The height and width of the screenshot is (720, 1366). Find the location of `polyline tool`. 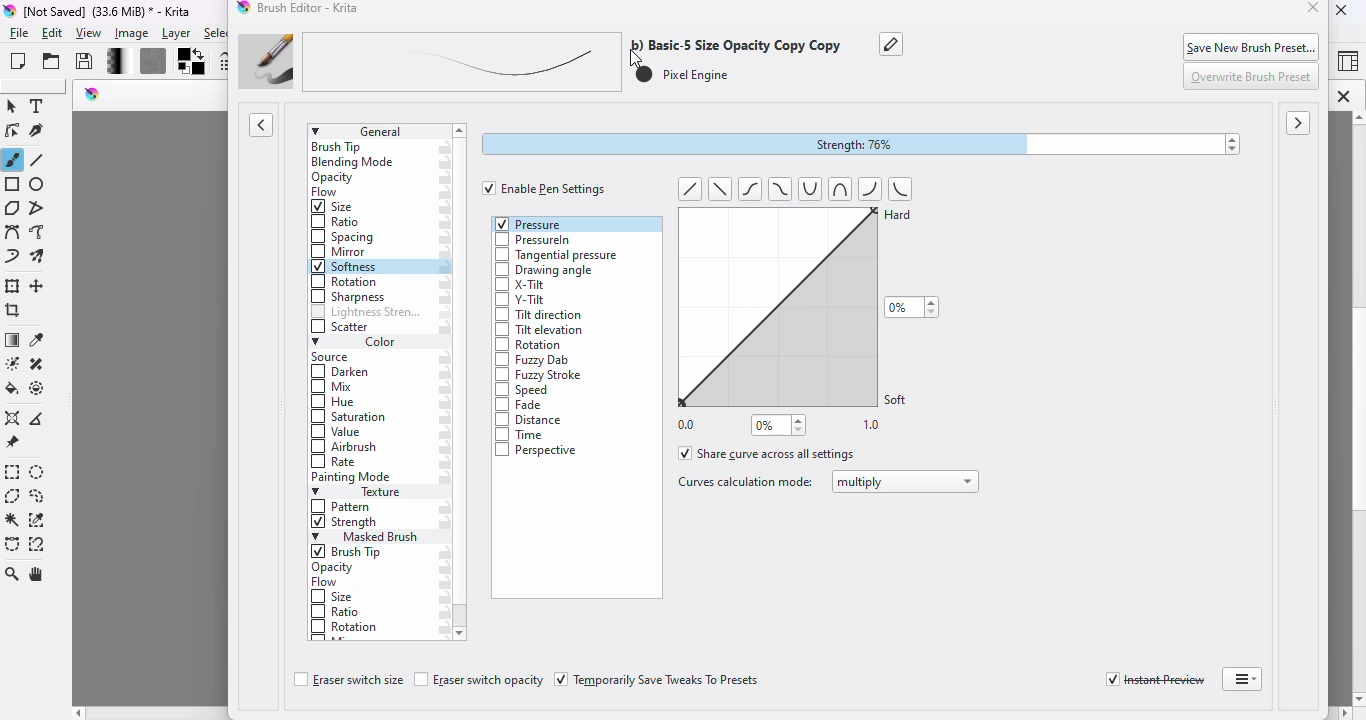

polyline tool is located at coordinates (40, 207).